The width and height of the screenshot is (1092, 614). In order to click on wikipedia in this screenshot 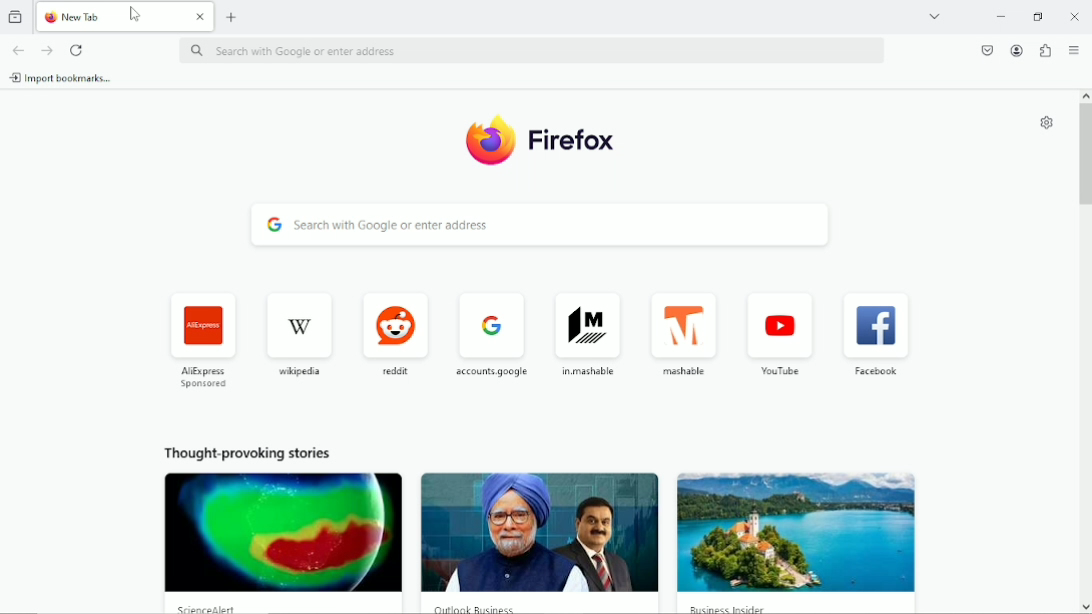, I will do `click(302, 331)`.